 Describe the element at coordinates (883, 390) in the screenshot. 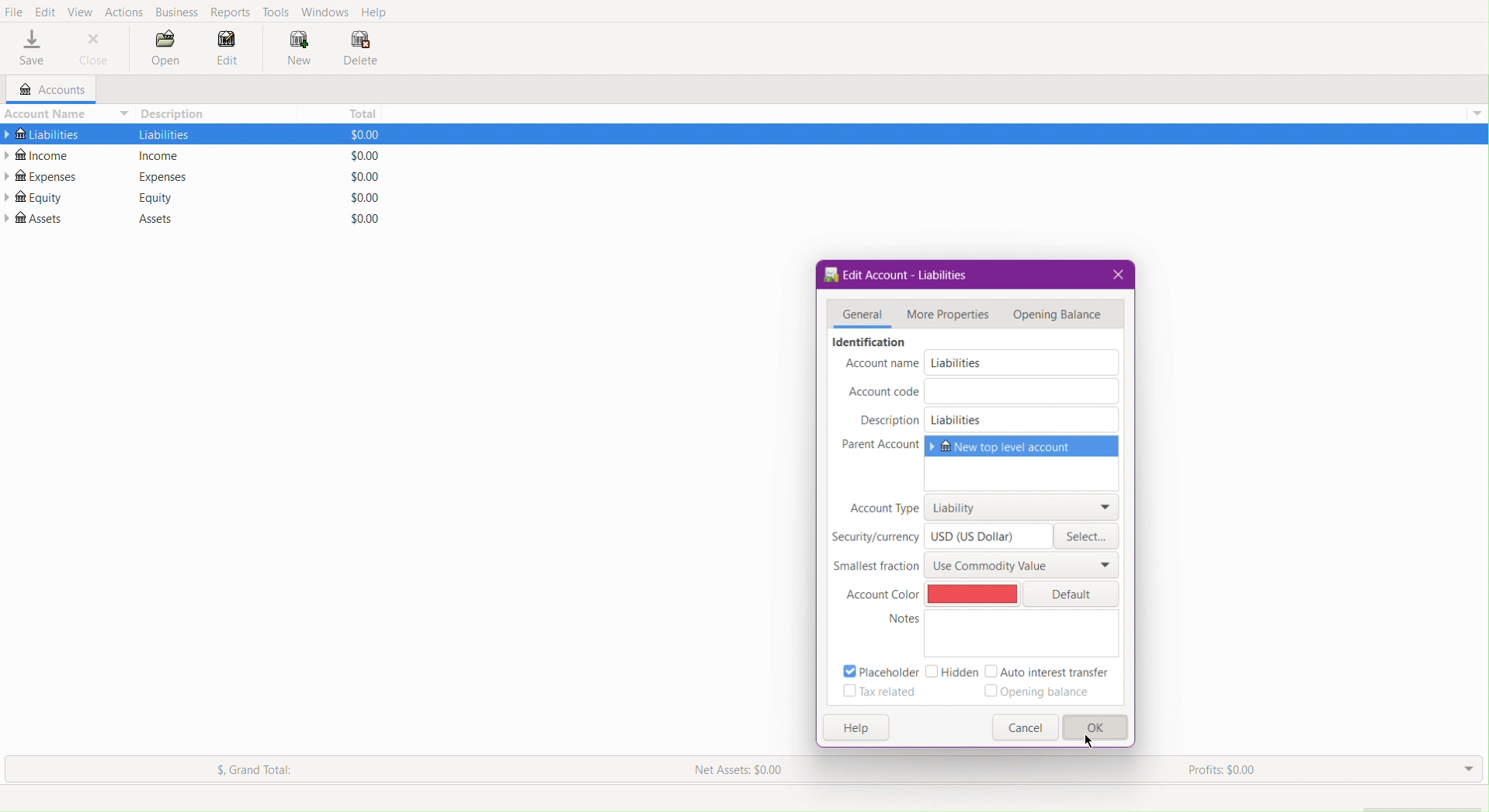

I see `Account code` at that location.